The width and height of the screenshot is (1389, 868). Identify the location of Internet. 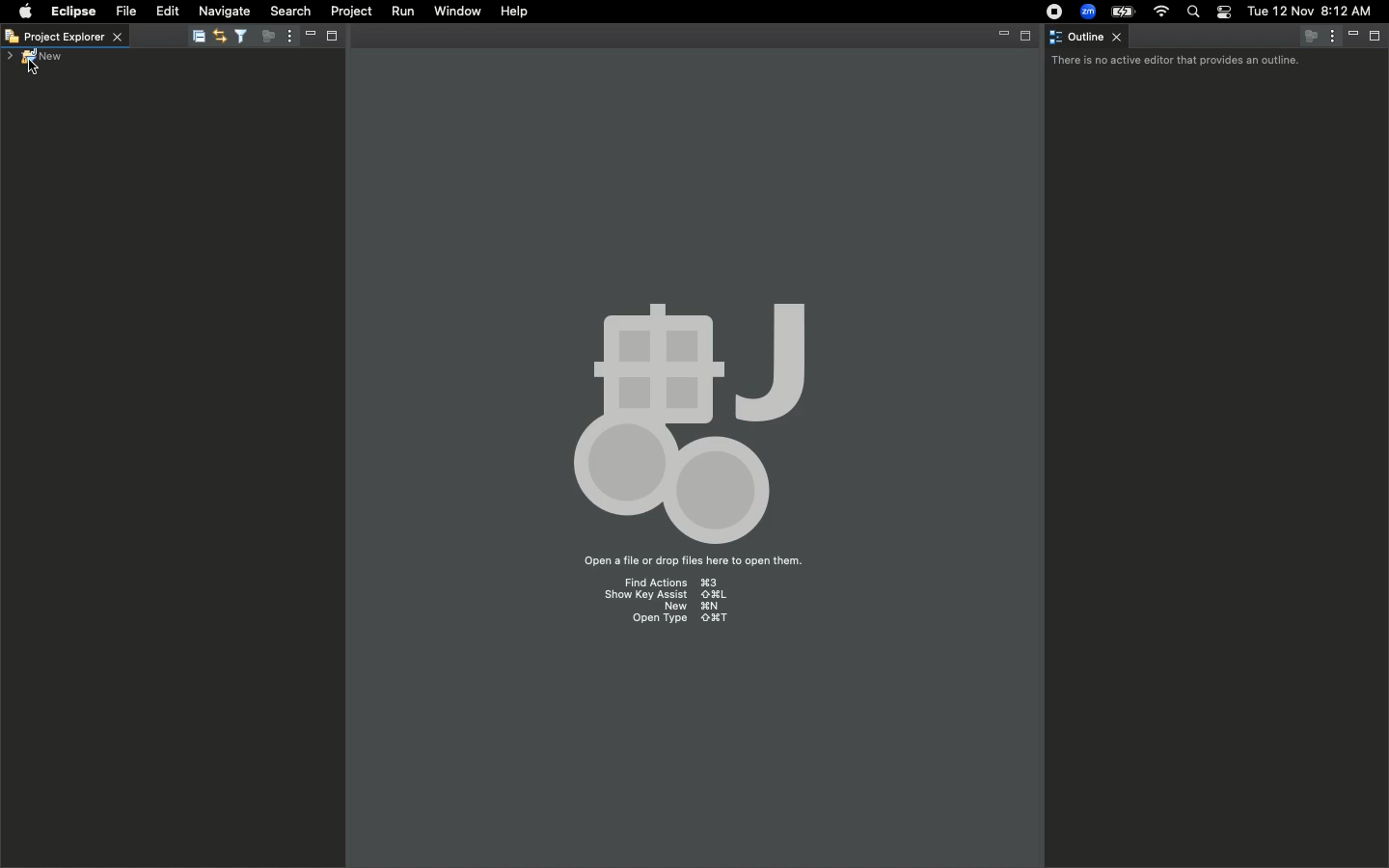
(1159, 13).